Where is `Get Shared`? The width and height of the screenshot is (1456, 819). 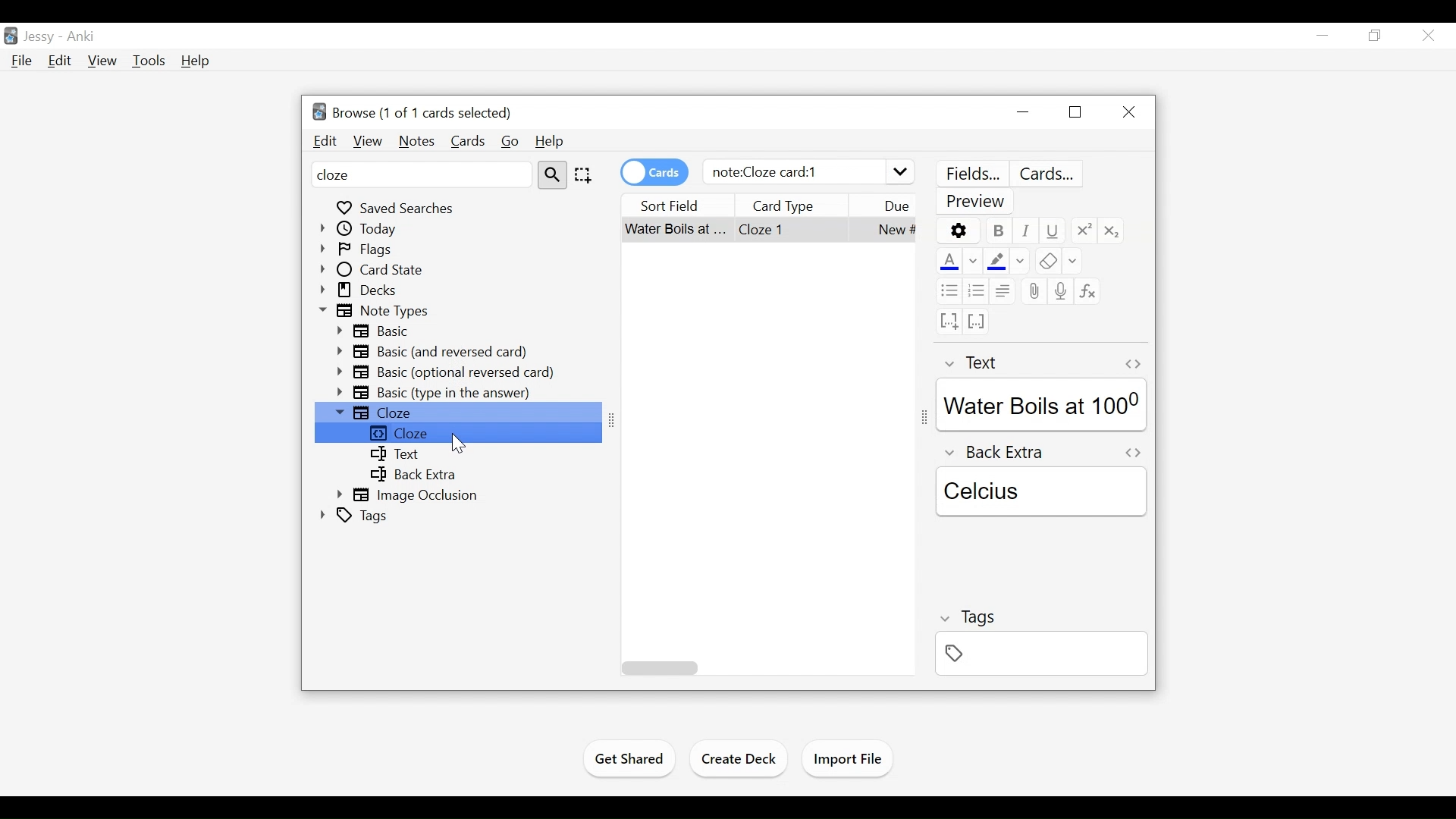 Get Shared is located at coordinates (627, 761).